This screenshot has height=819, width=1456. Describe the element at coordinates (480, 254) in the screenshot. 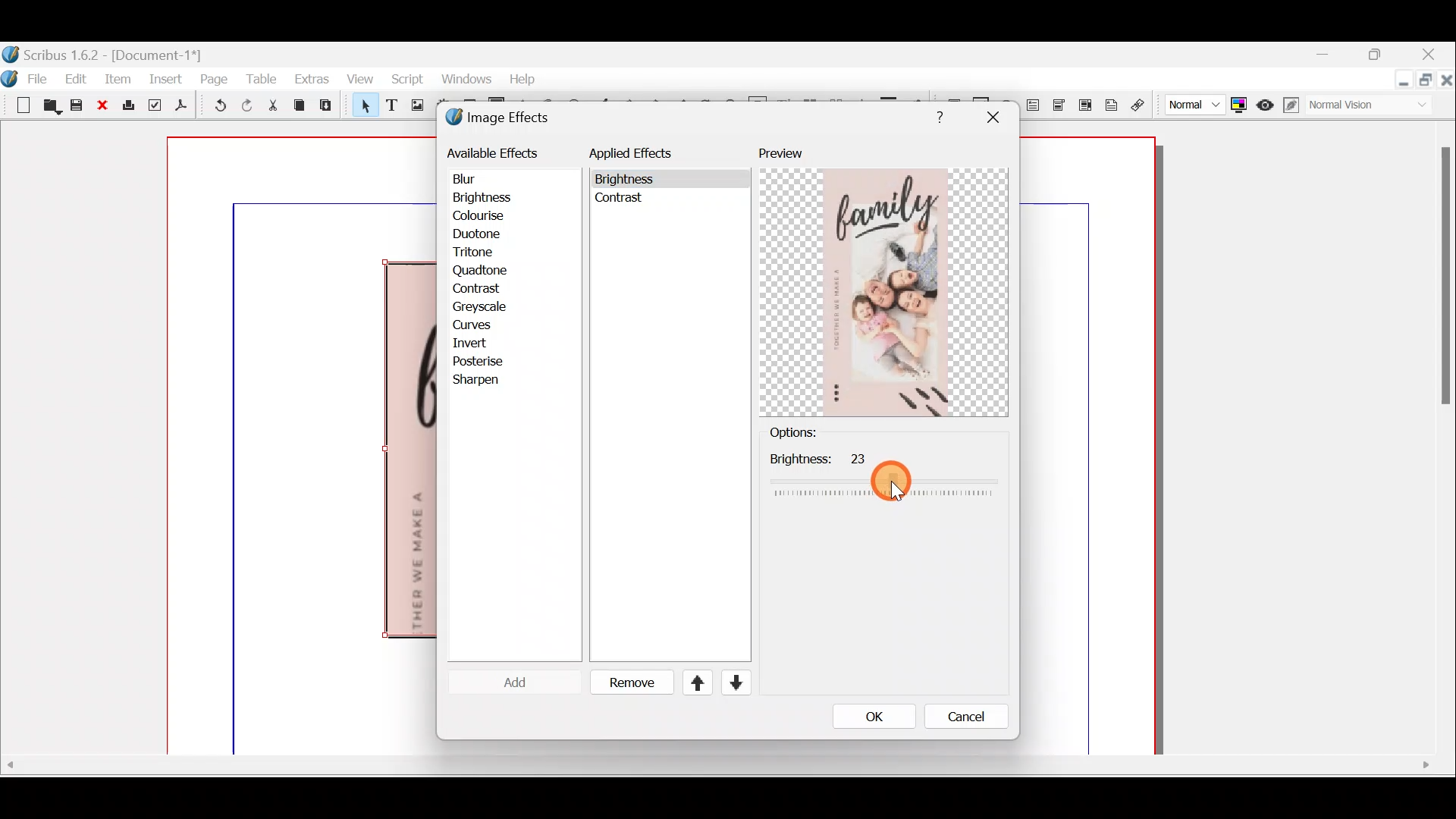

I see `Tritone` at that location.